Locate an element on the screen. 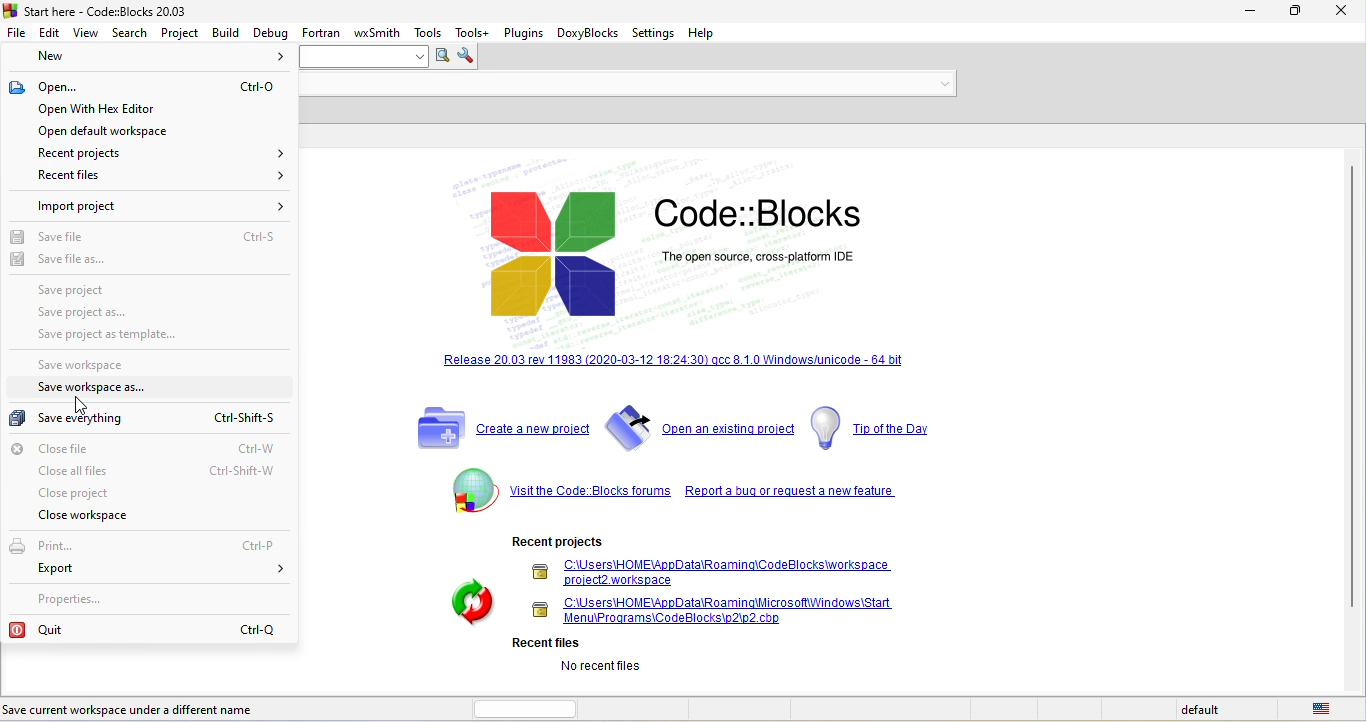  save file as is located at coordinates (65, 260).